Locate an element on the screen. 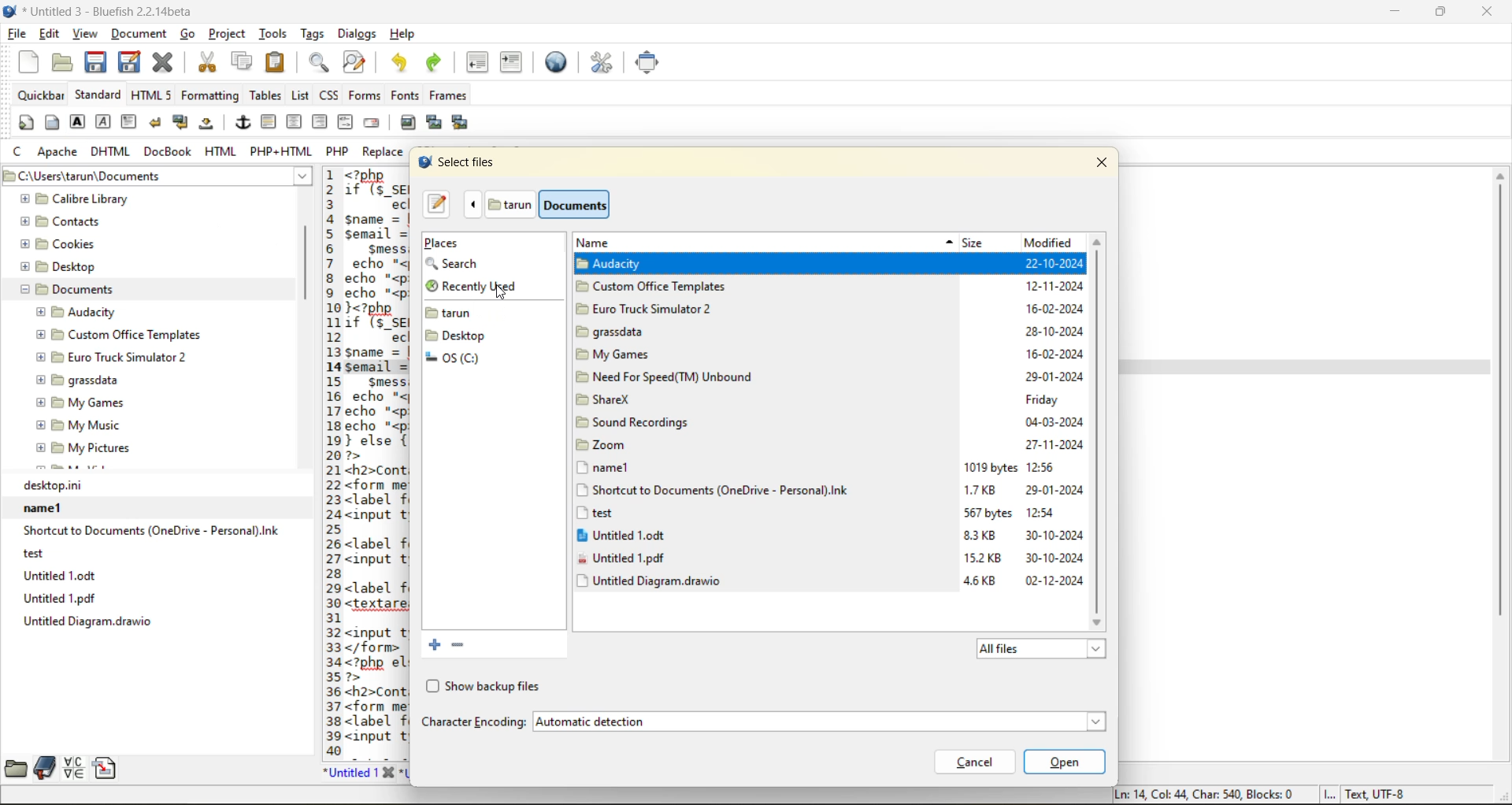 The image size is (1512, 805). cut is located at coordinates (206, 62).